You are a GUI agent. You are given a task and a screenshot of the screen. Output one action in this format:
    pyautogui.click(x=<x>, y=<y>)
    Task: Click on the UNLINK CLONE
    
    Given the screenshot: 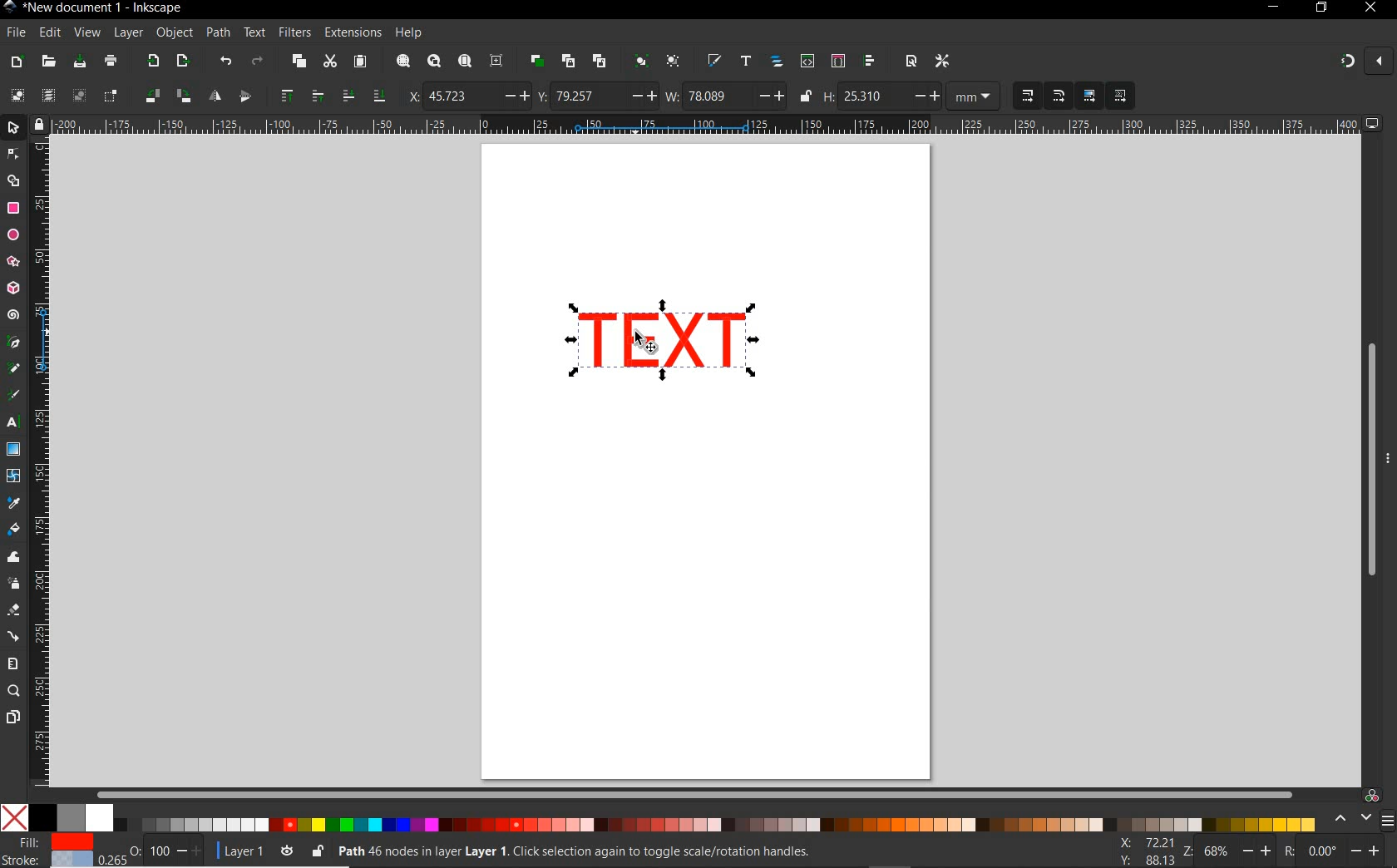 What is the action you would take?
    pyautogui.click(x=600, y=62)
    